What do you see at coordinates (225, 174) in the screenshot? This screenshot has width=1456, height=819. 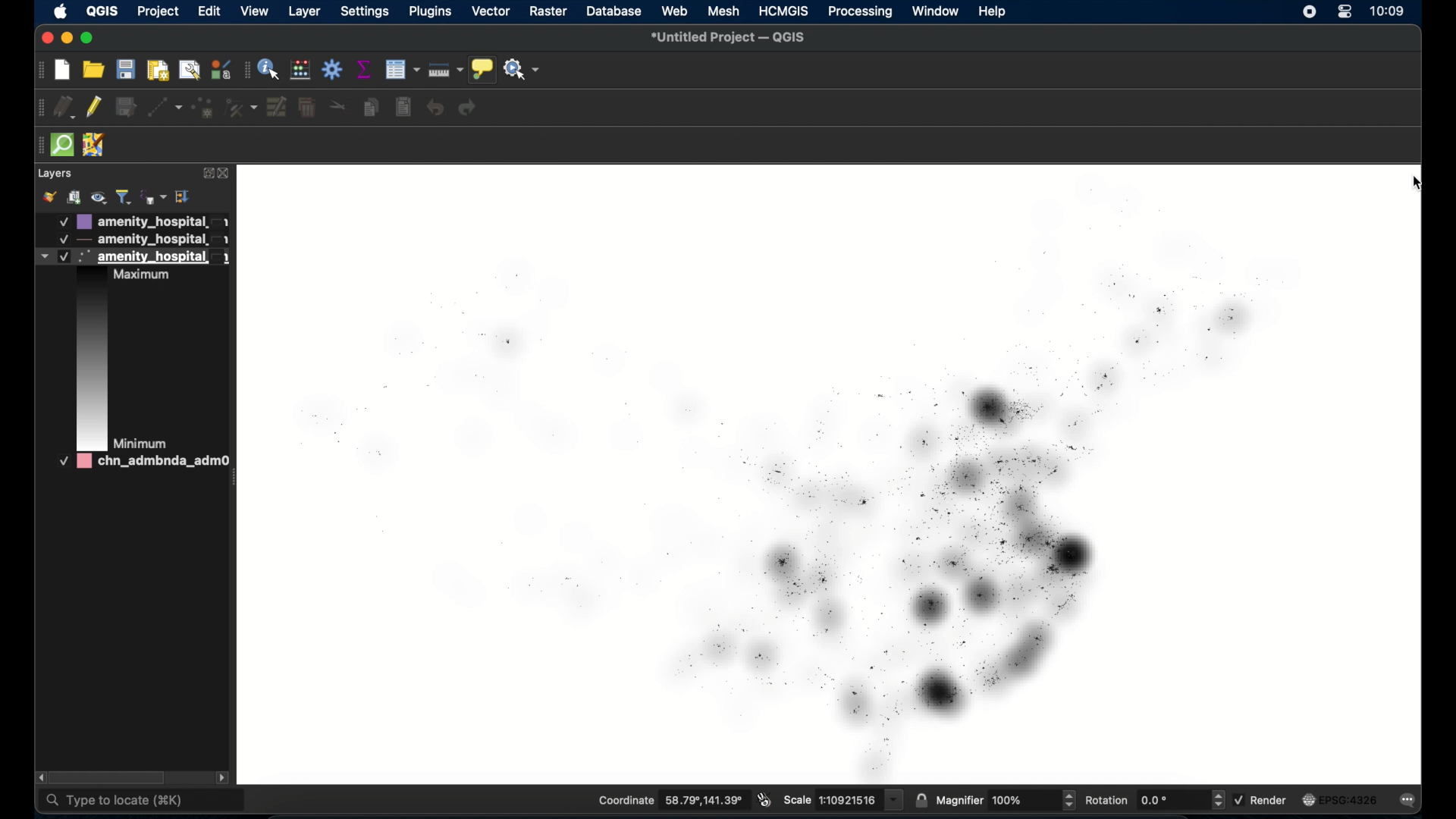 I see `close` at bounding box center [225, 174].